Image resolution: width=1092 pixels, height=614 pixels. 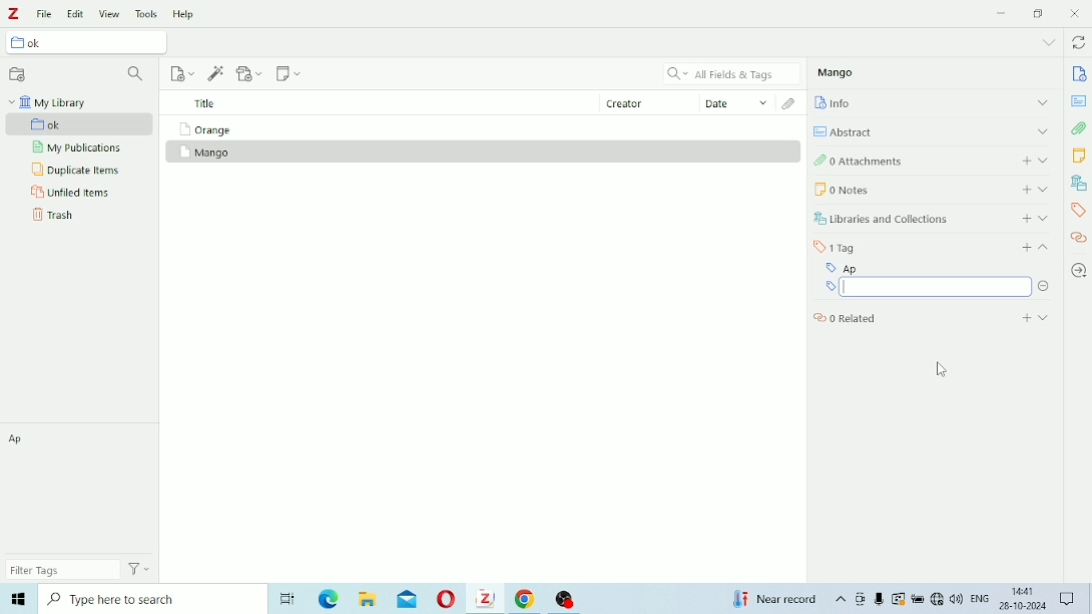 What do you see at coordinates (250, 74) in the screenshot?
I see `Add Attachment` at bounding box center [250, 74].